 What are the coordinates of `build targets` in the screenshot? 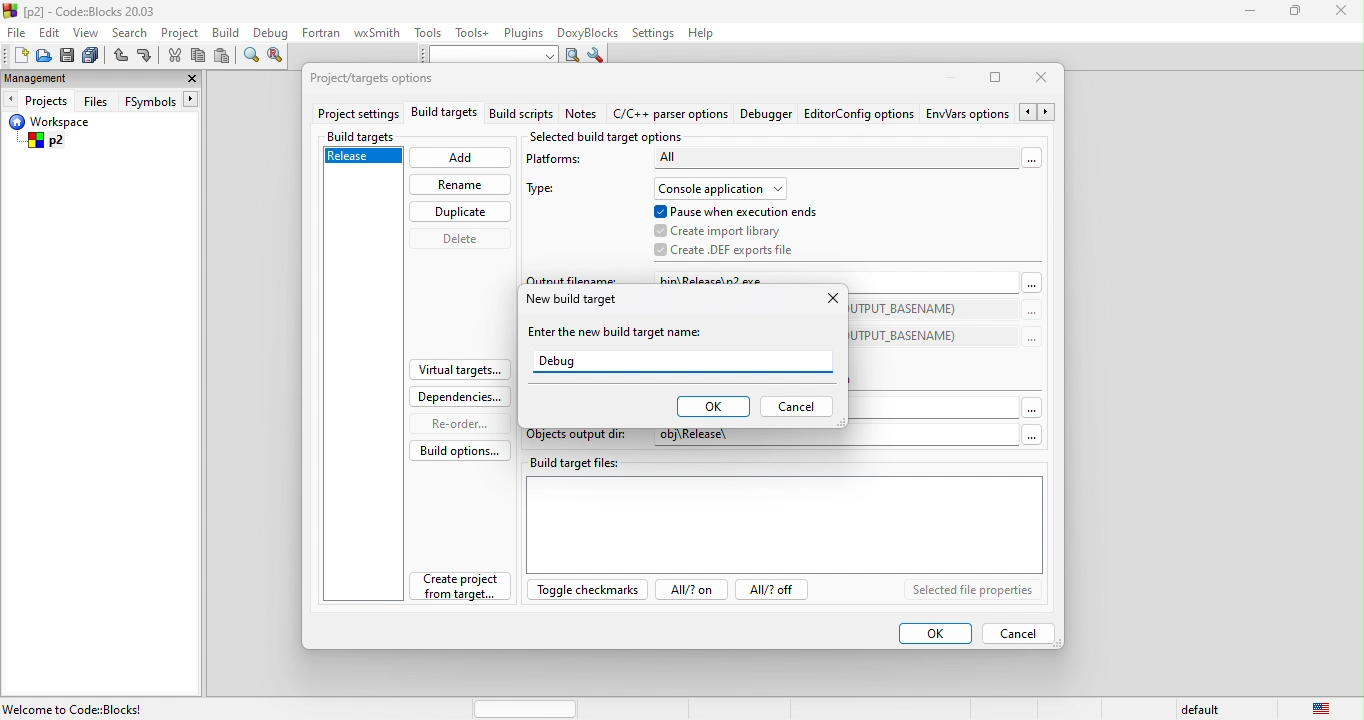 It's located at (448, 114).